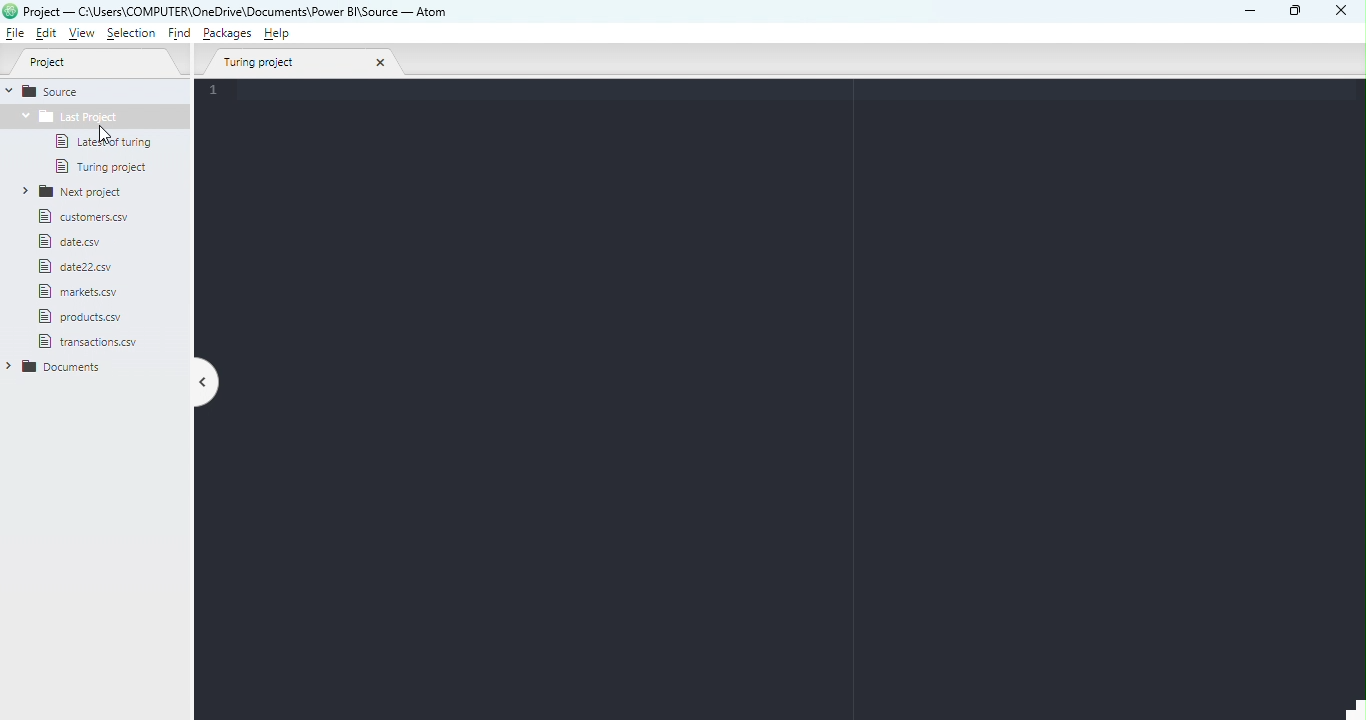  Describe the element at coordinates (92, 339) in the screenshot. I see `file` at that location.